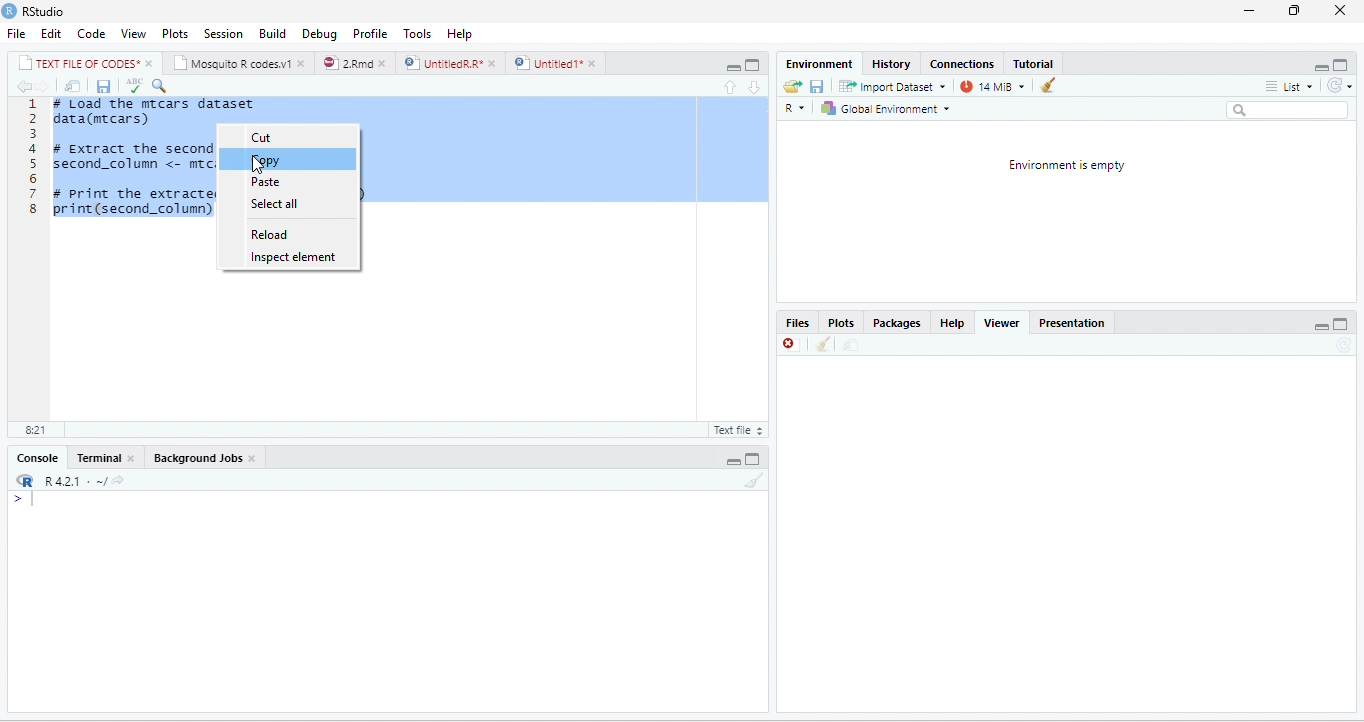 Image resolution: width=1364 pixels, height=722 pixels. I want to click on upward, so click(737, 87).